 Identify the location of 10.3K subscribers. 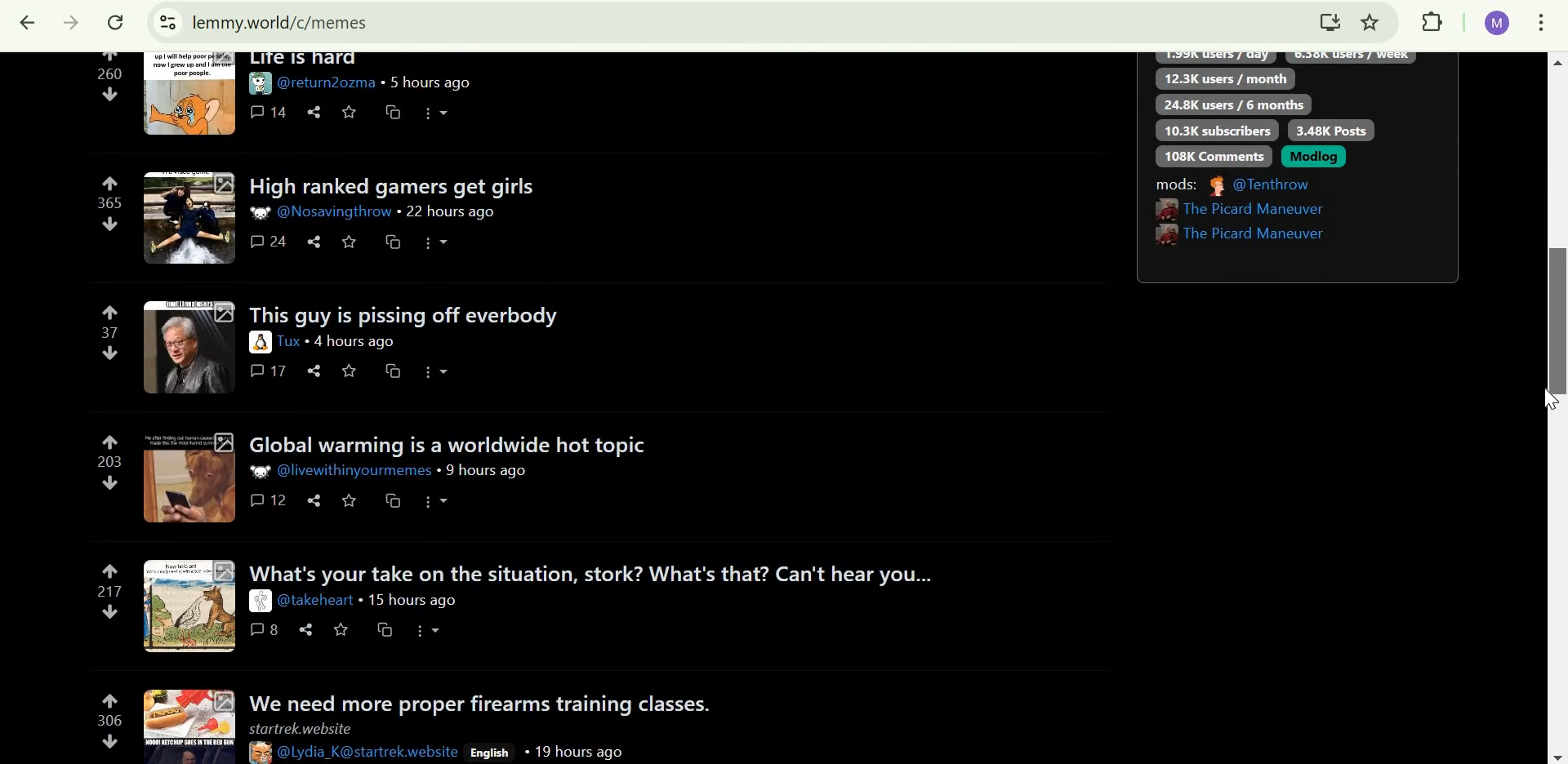
(1218, 131).